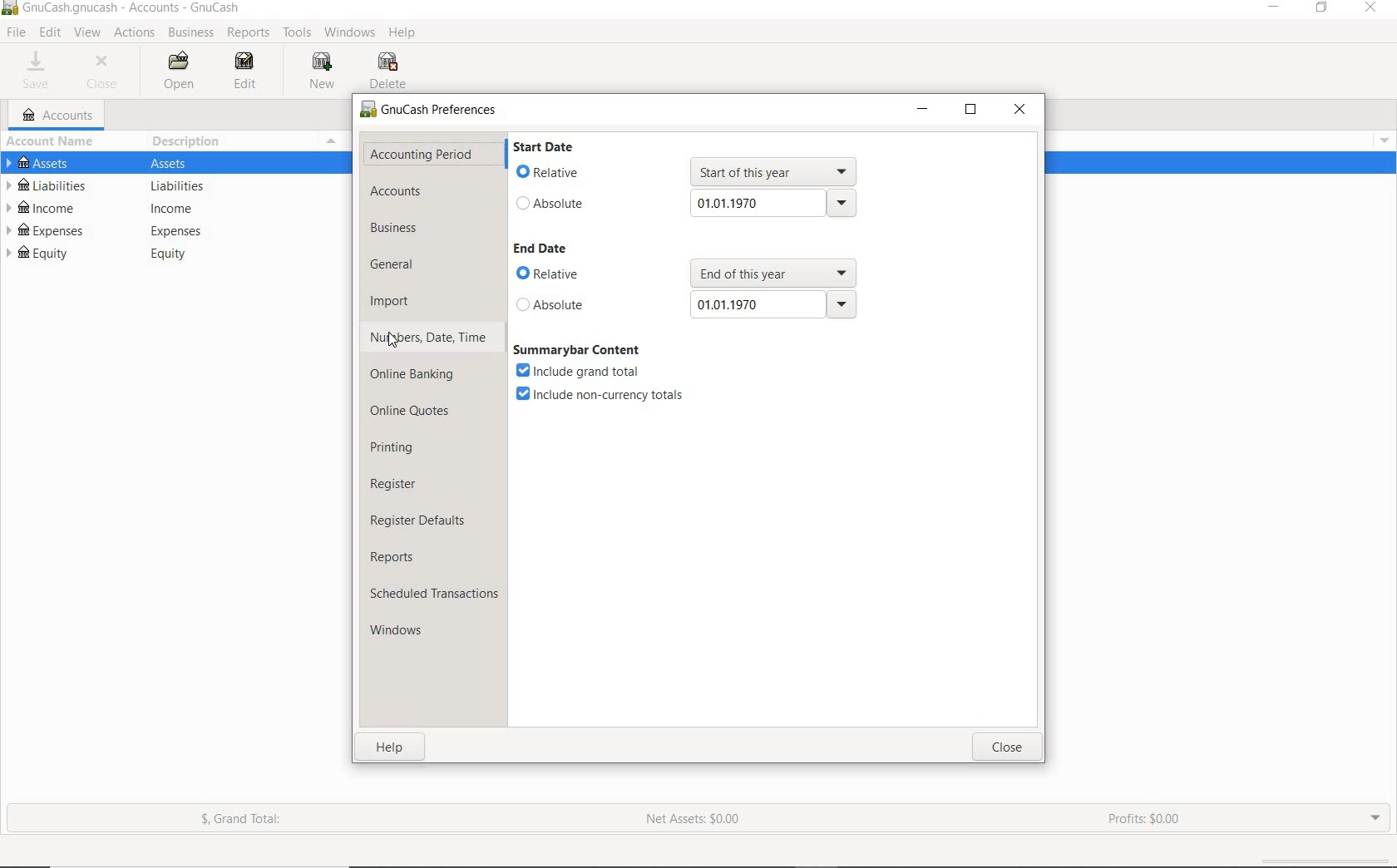  What do you see at coordinates (398, 228) in the screenshot?
I see `business` at bounding box center [398, 228].